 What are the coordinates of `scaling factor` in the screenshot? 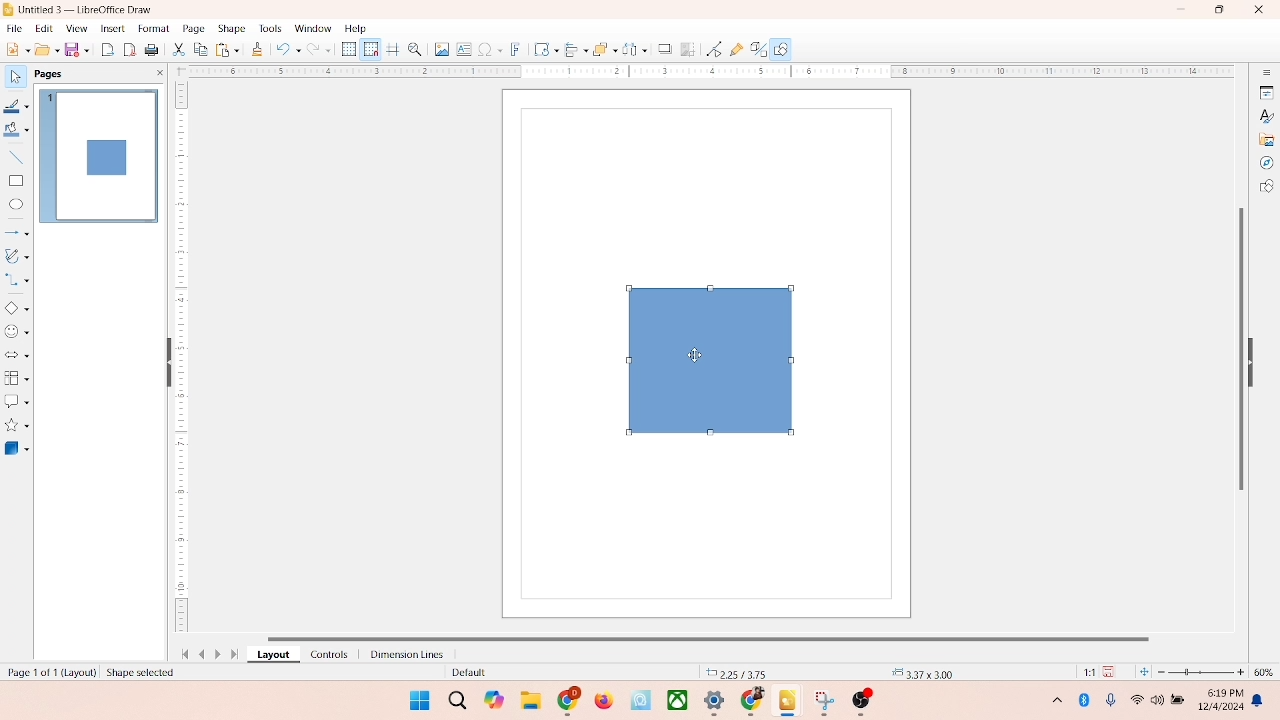 It's located at (1084, 672).